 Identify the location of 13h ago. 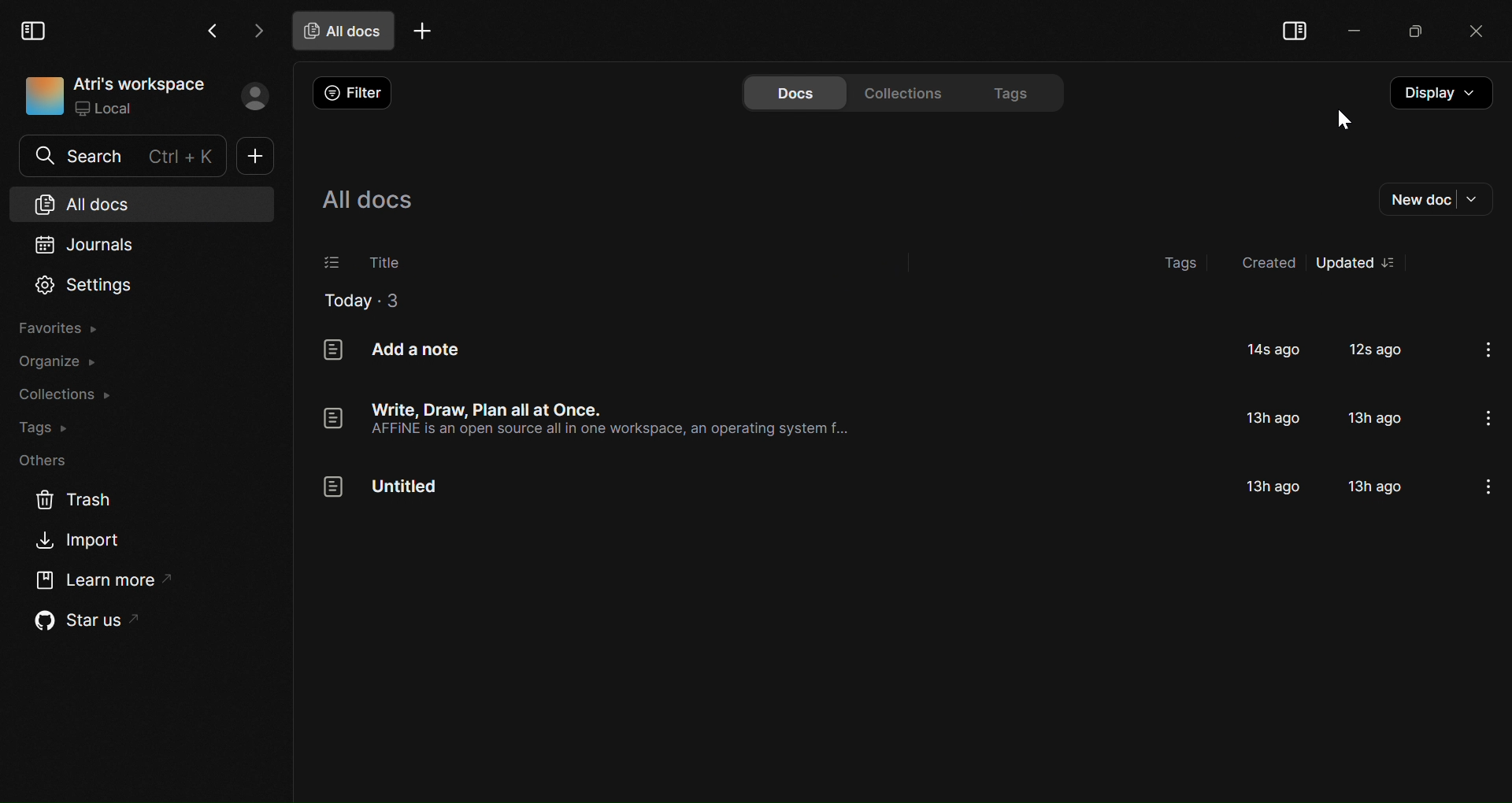
(1377, 417).